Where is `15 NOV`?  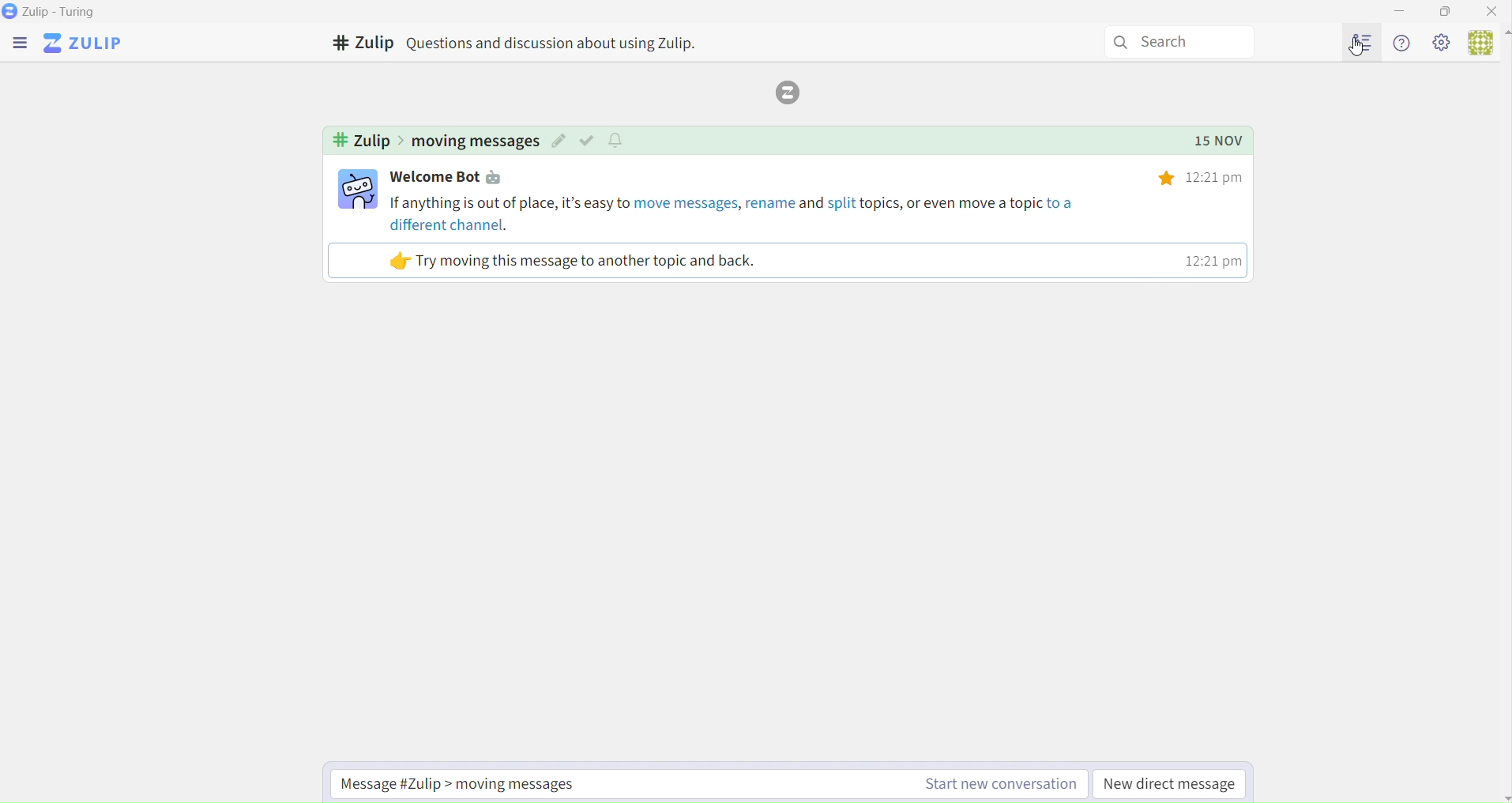 15 NOV is located at coordinates (1211, 141).